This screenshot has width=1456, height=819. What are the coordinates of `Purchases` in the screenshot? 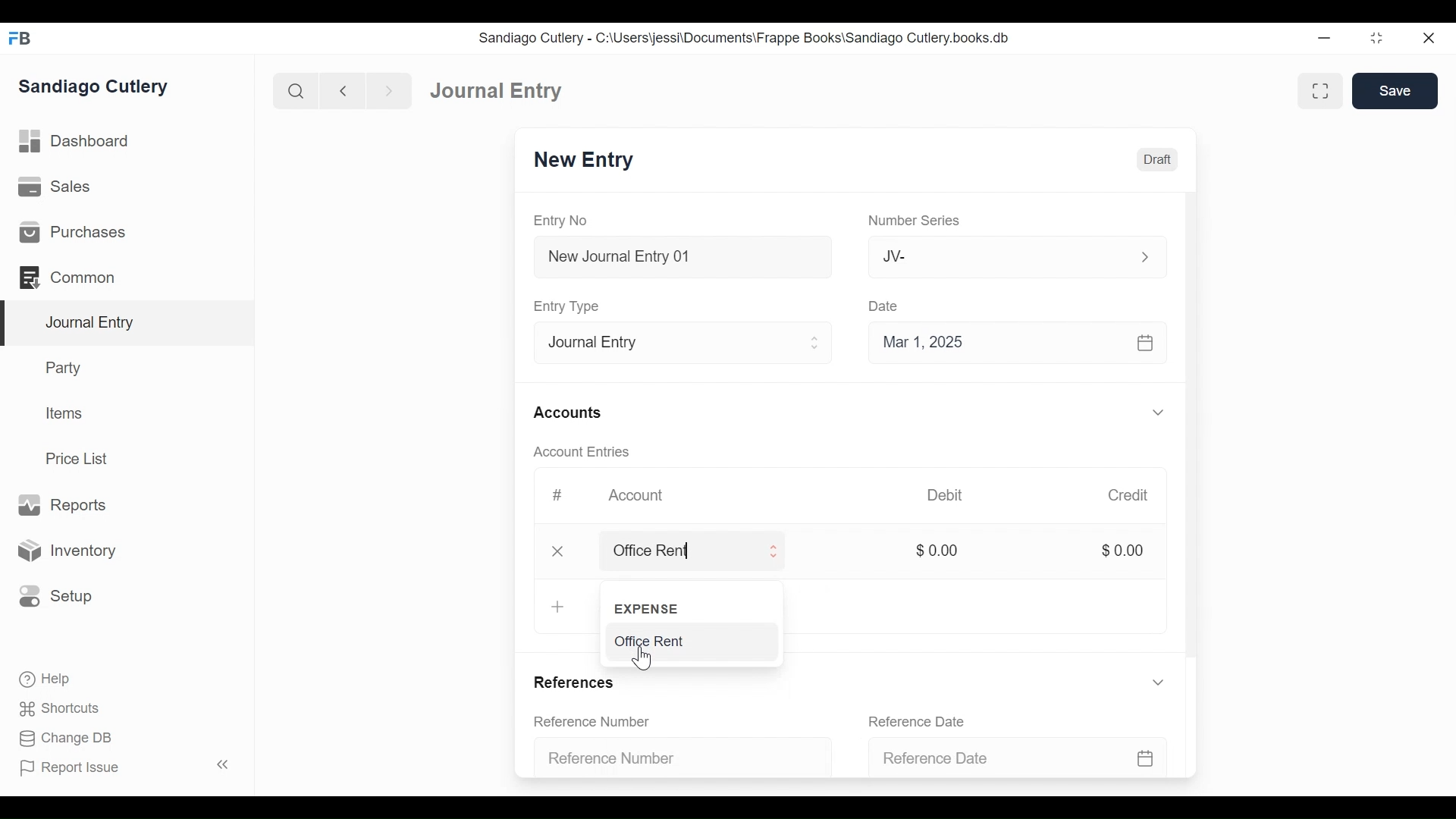 It's located at (127, 231).